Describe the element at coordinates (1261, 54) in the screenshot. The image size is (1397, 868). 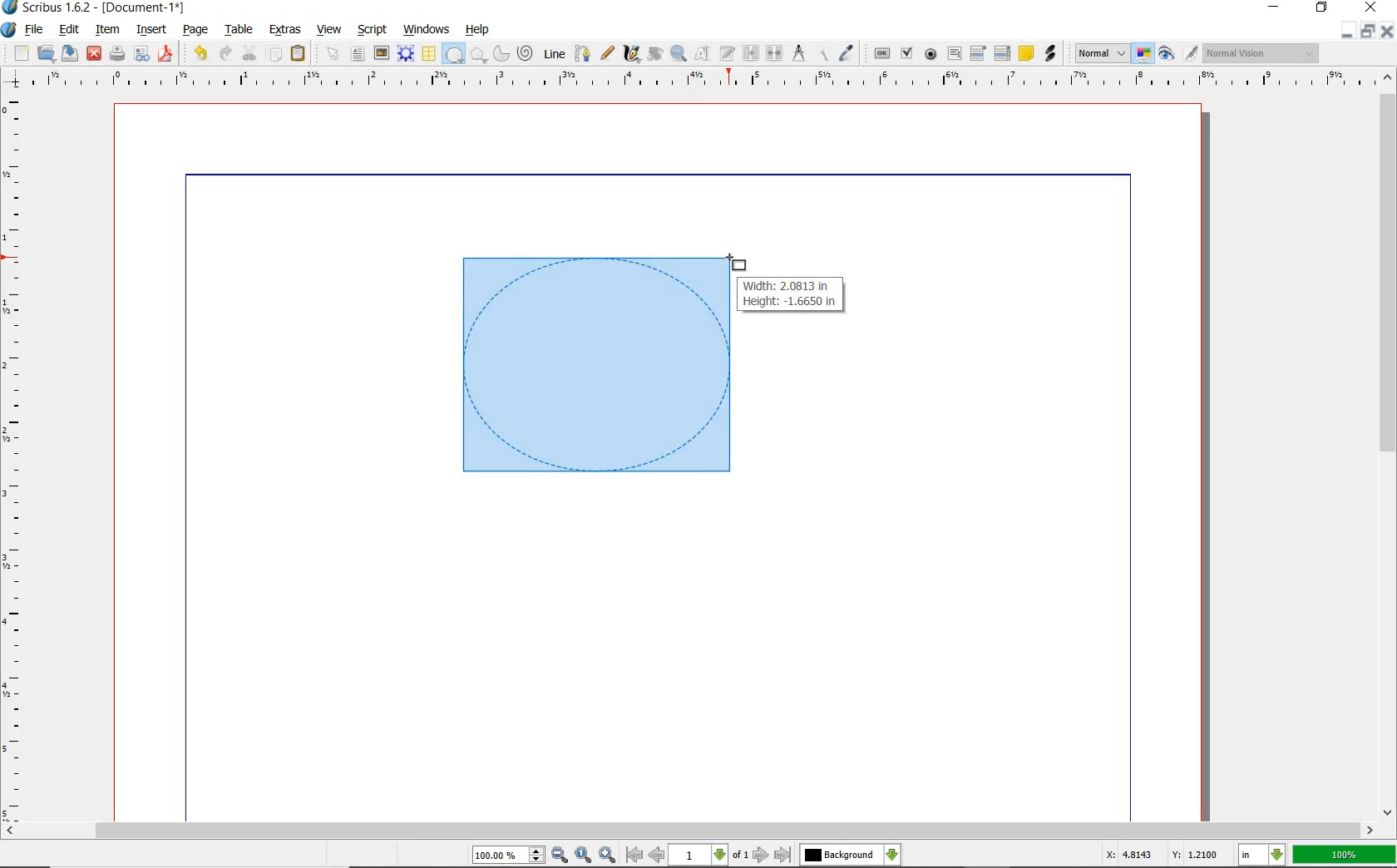
I see `visual appearance of the display` at that location.